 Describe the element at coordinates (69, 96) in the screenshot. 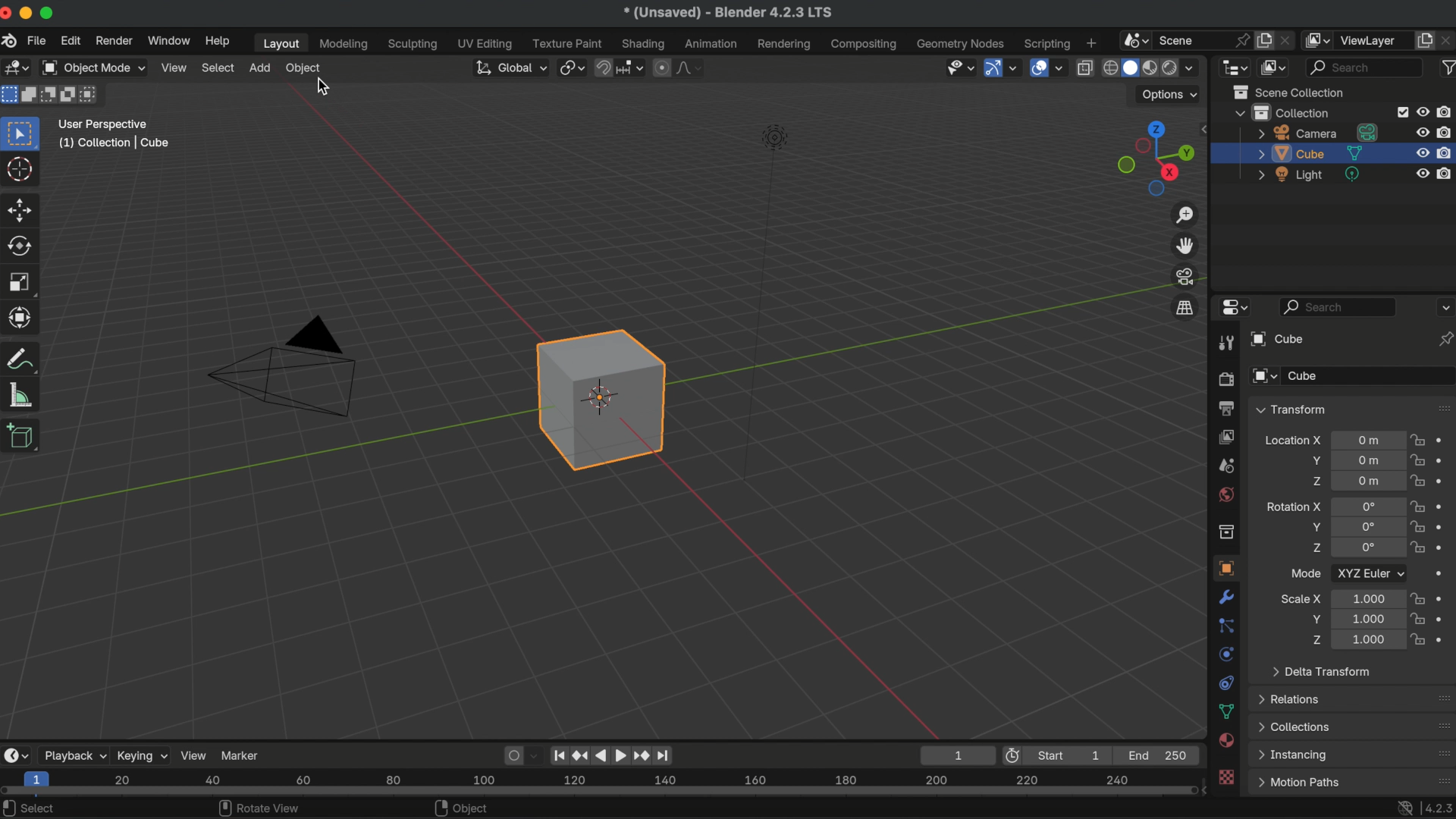

I see `mode invert existing condition` at that location.